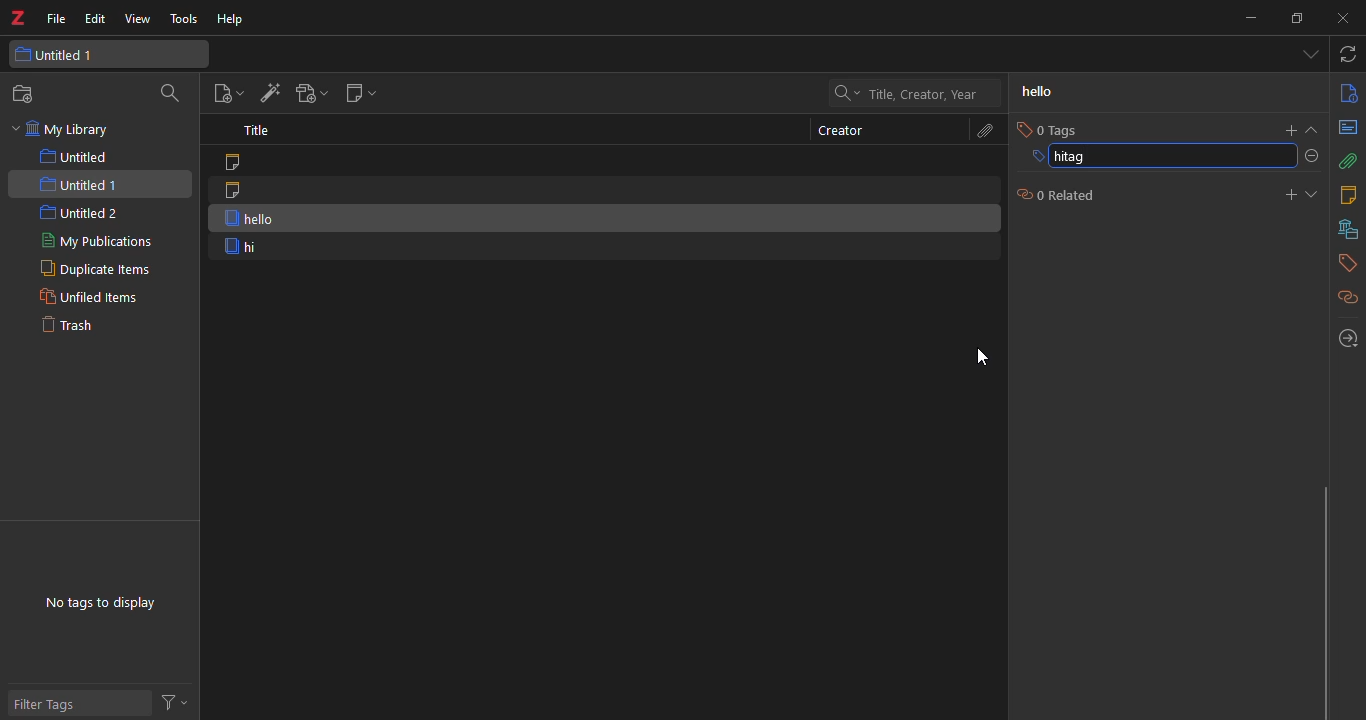  What do you see at coordinates (57, 20) in the screenshot?
I see `file` at bounding box center [57, 20].